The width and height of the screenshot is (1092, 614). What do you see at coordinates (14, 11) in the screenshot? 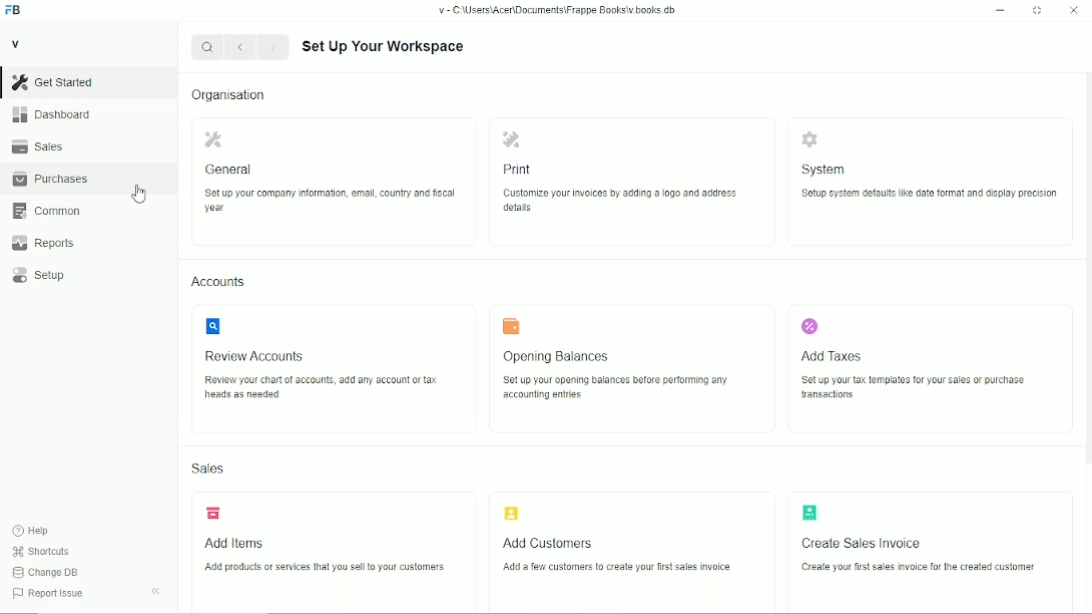
I see `FB` at bounding box center [14, 11].